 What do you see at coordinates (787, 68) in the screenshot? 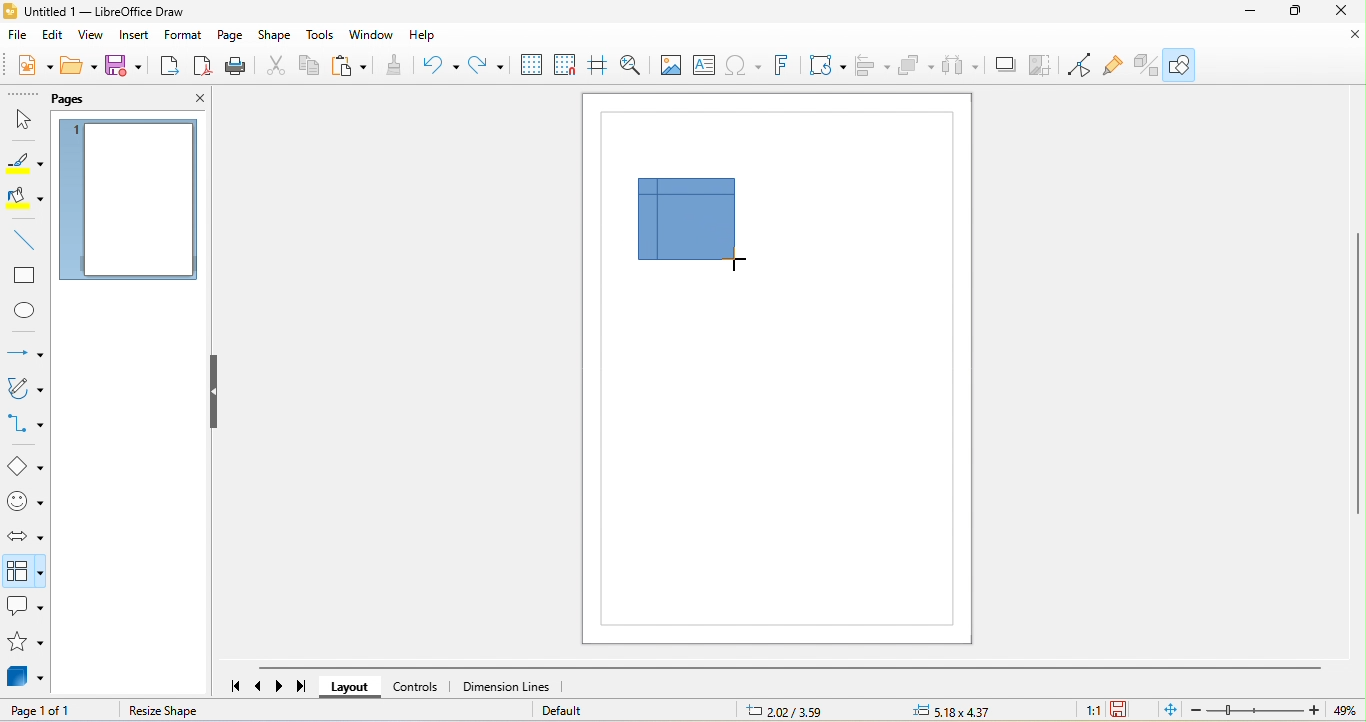
I see `font work text` at bounding box center [787, 68].